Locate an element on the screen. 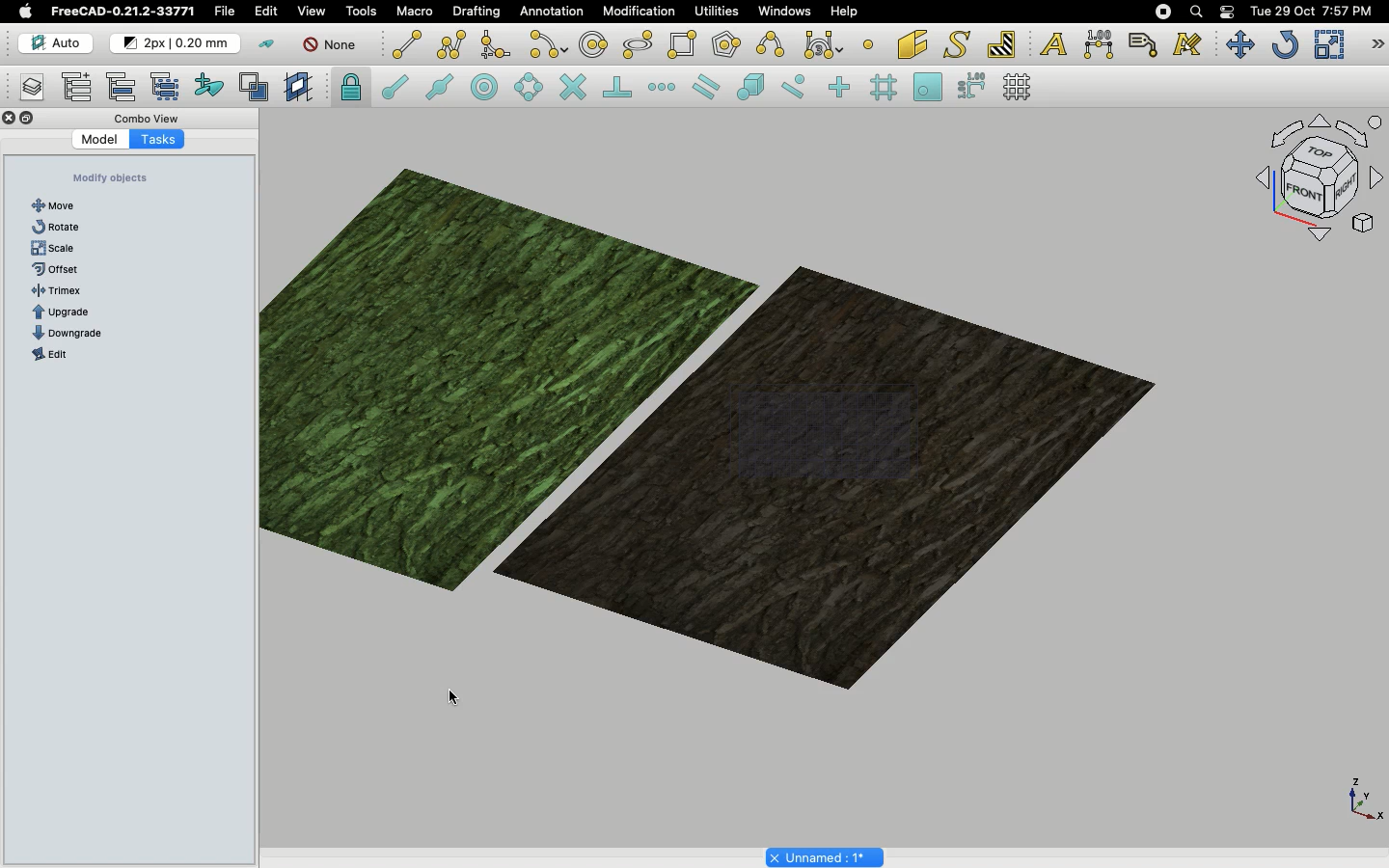  B-spline is located at coordinates (774, 44).